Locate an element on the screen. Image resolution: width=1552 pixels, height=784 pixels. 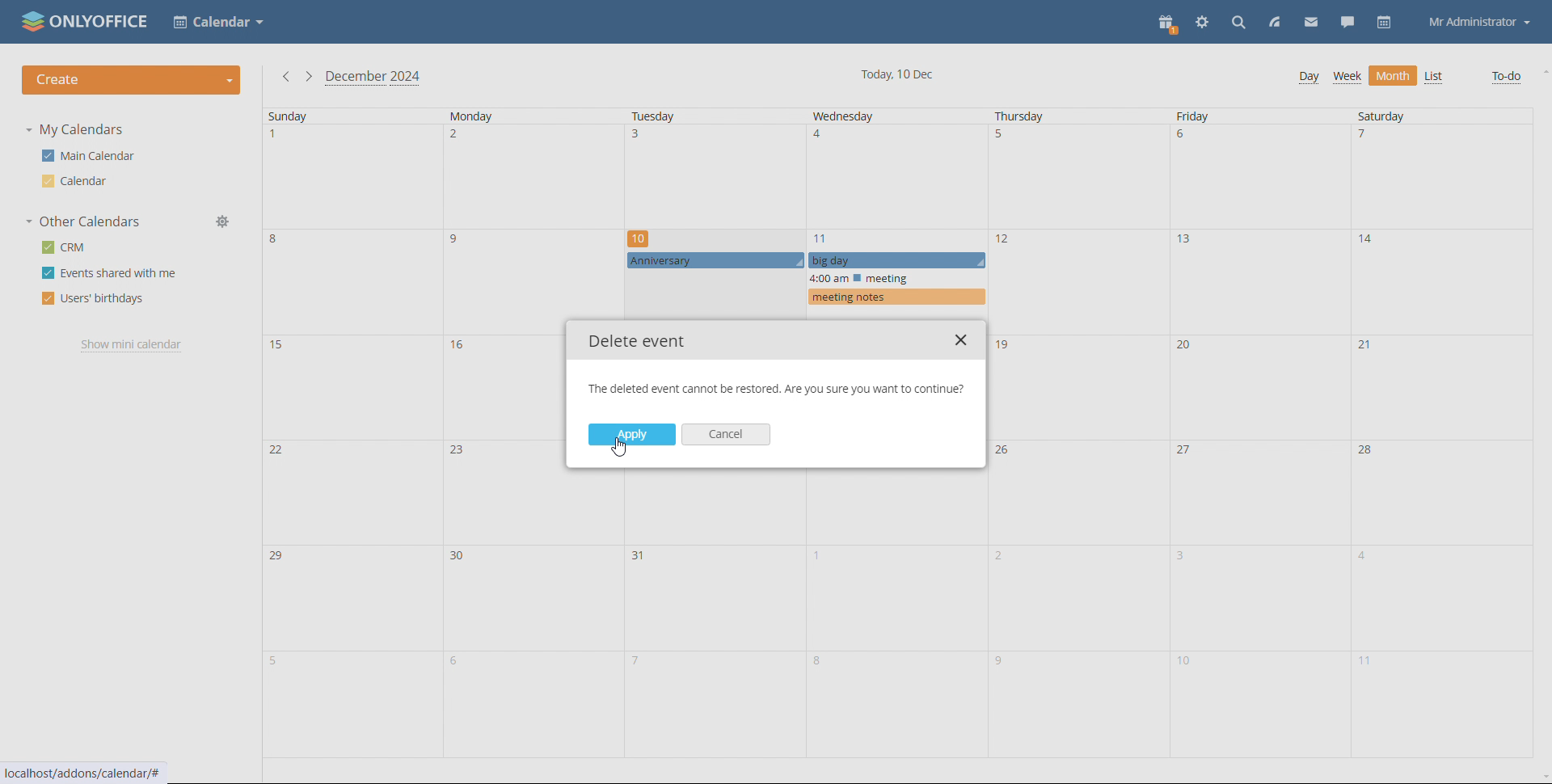
warning is located at coordinates (773, 390).